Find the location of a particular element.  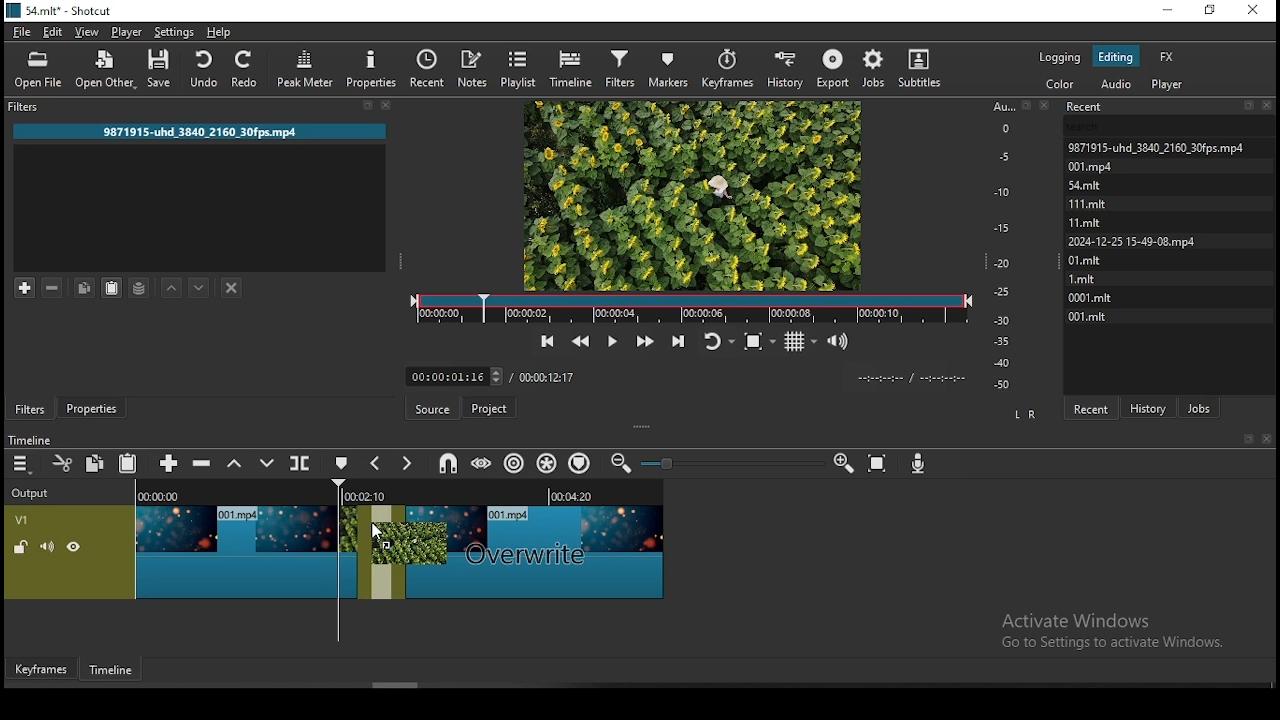

logging is located at coordinates (1059, 57).